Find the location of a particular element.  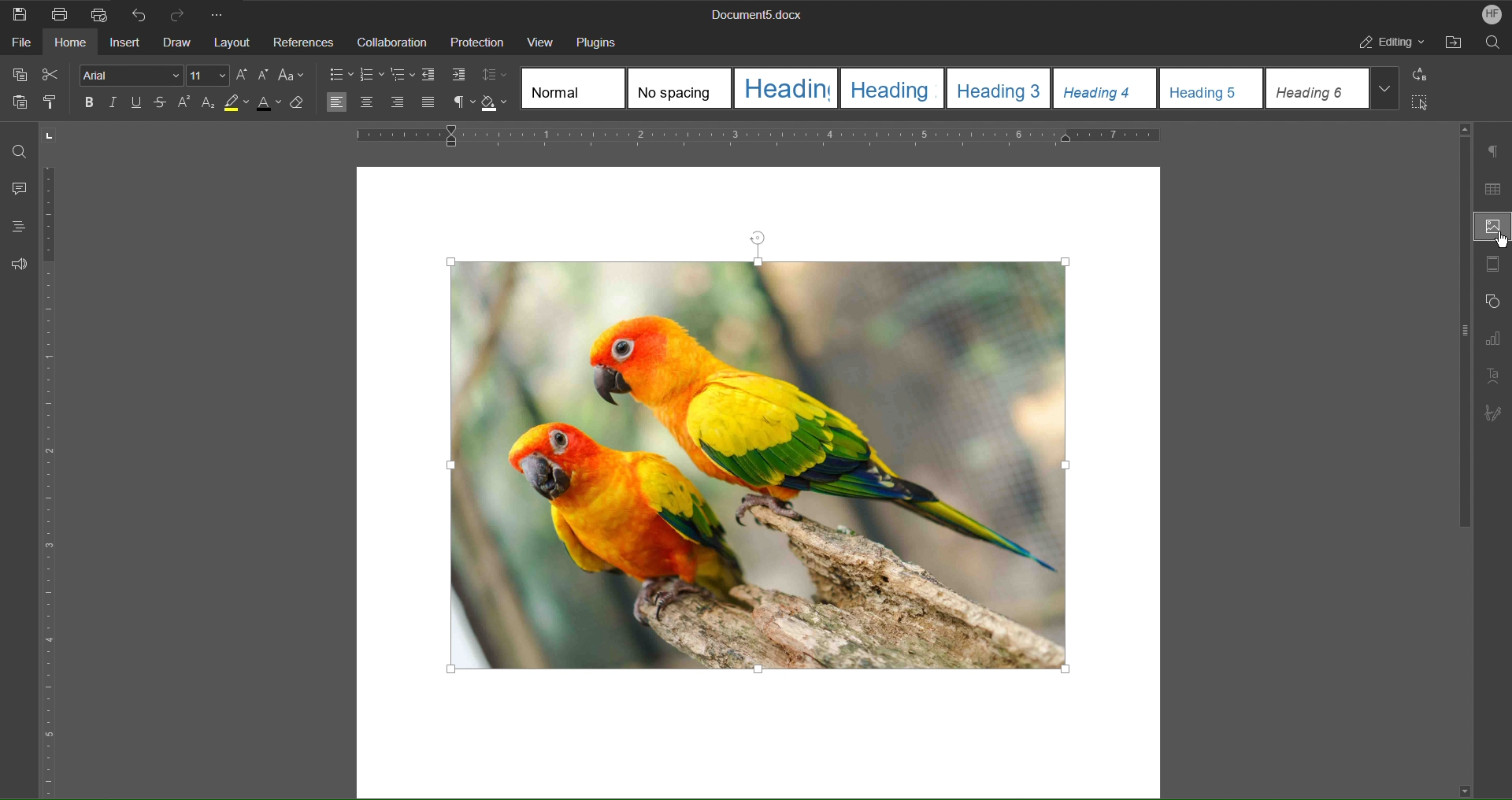

Account is located at coordinates (1487, 14).